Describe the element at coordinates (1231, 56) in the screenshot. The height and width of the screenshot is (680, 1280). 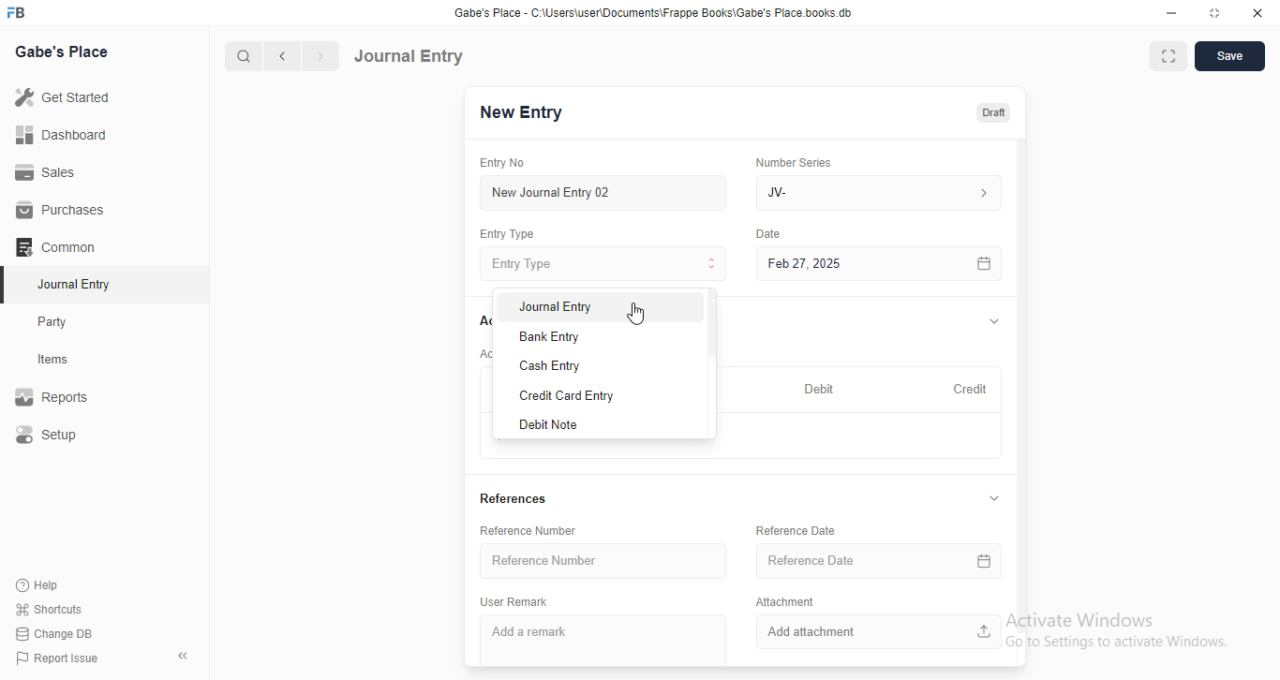
I see `Save` at that location.